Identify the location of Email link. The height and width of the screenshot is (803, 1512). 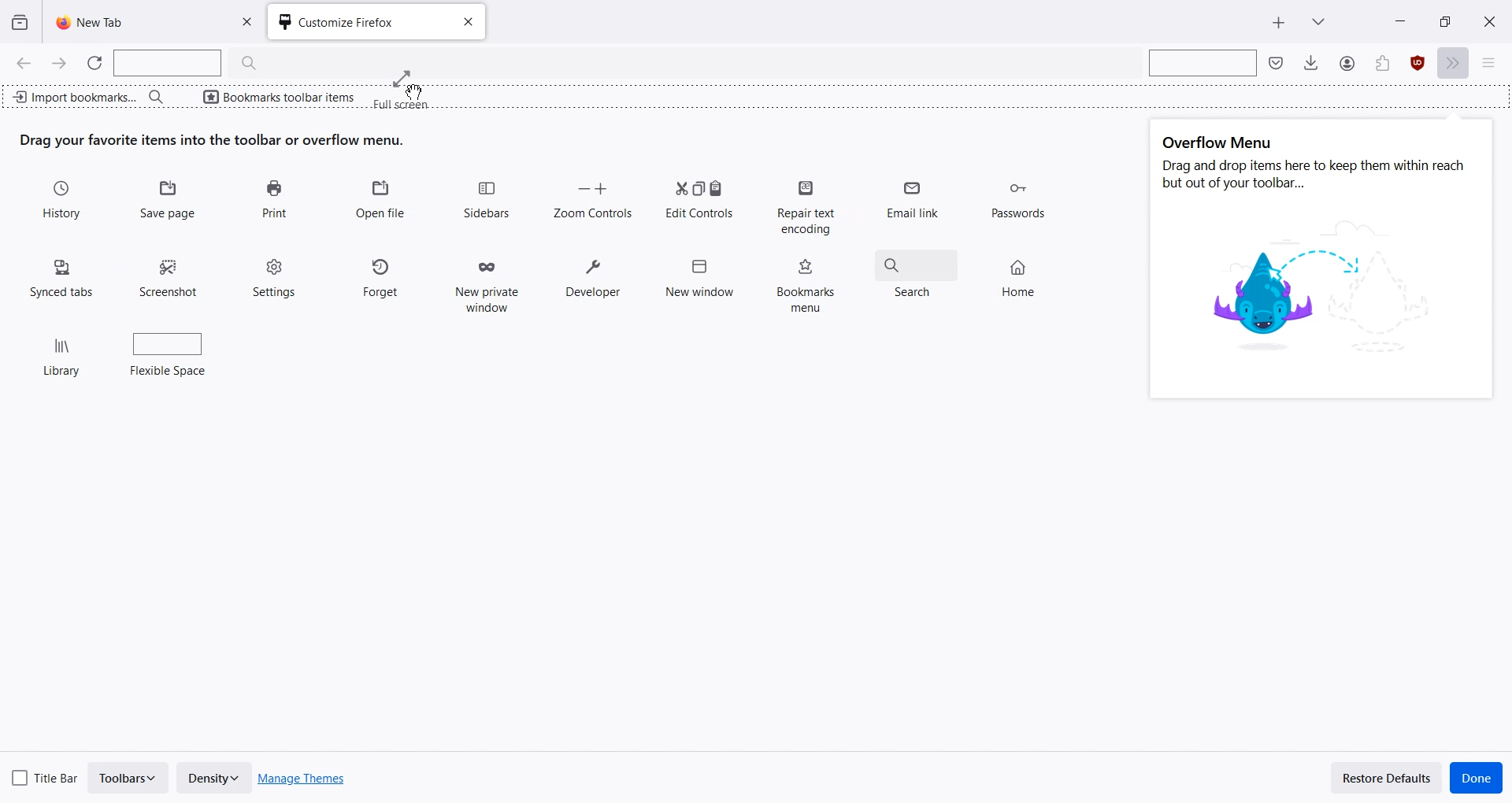
(915, 205).